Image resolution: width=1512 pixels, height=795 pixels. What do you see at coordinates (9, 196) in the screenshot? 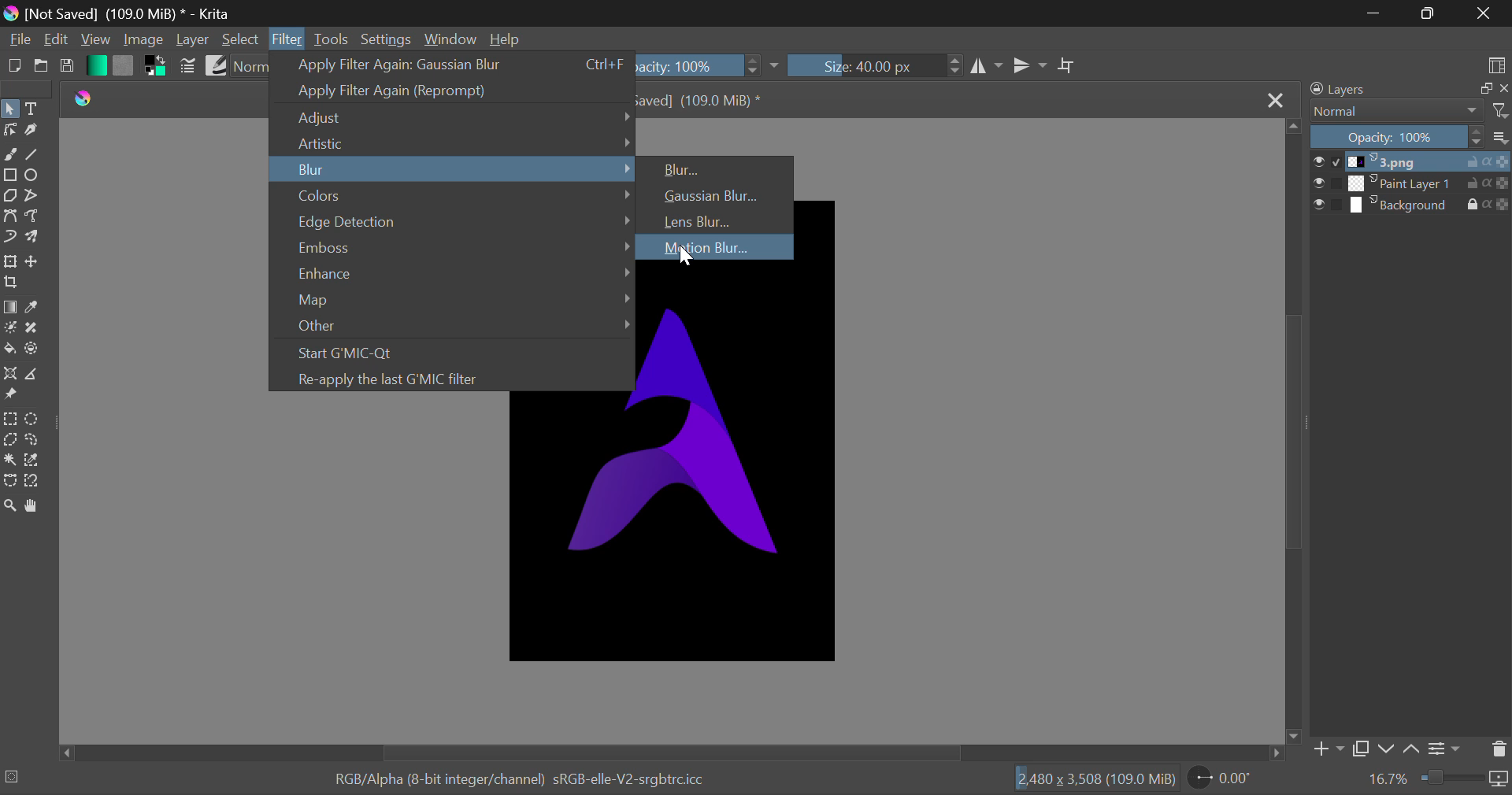
I see `Polygons` at bounding box center [9, 196].